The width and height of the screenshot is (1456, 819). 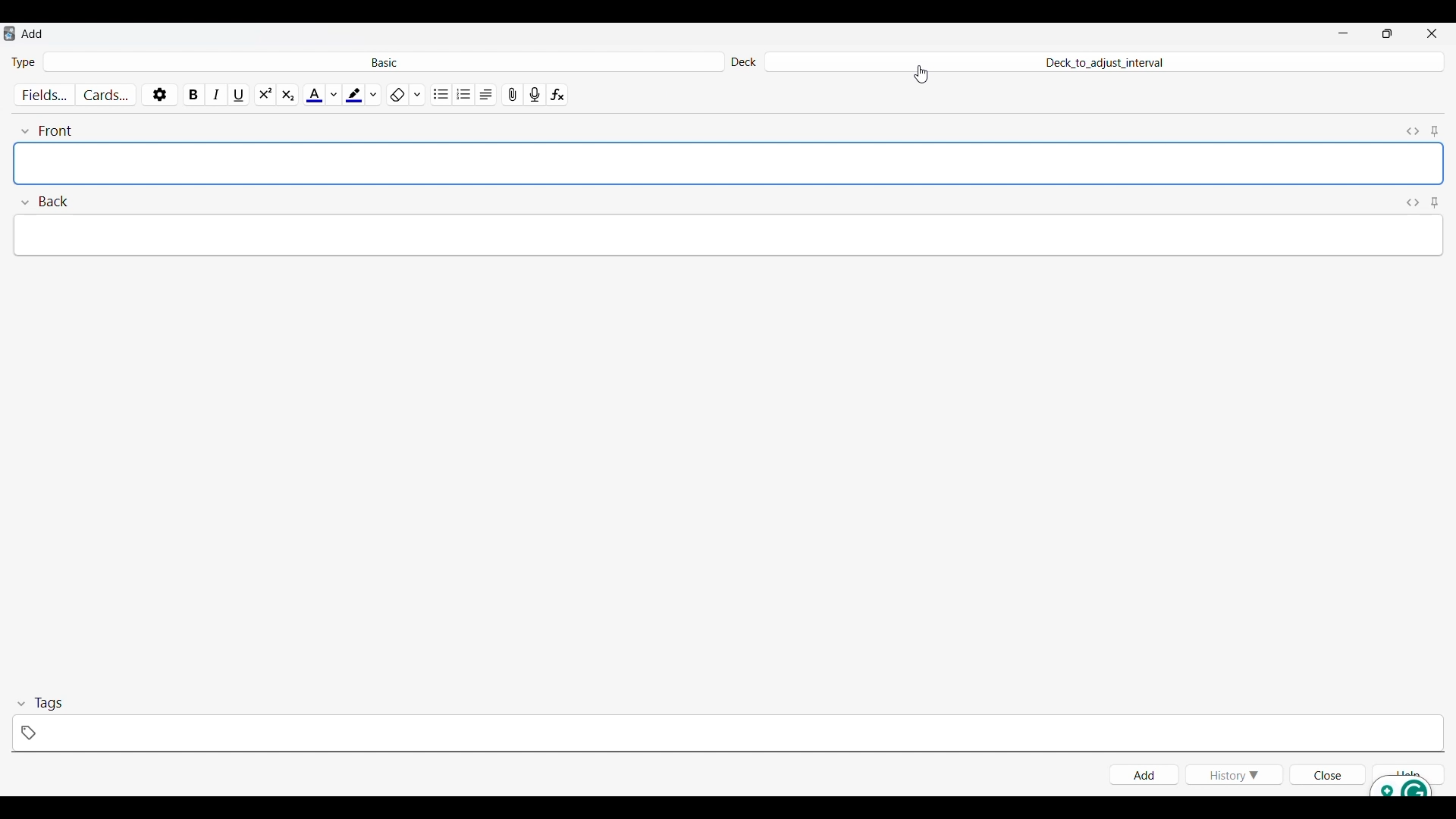 I want to click on Indicates Type of card, so click(x=24, y=62).